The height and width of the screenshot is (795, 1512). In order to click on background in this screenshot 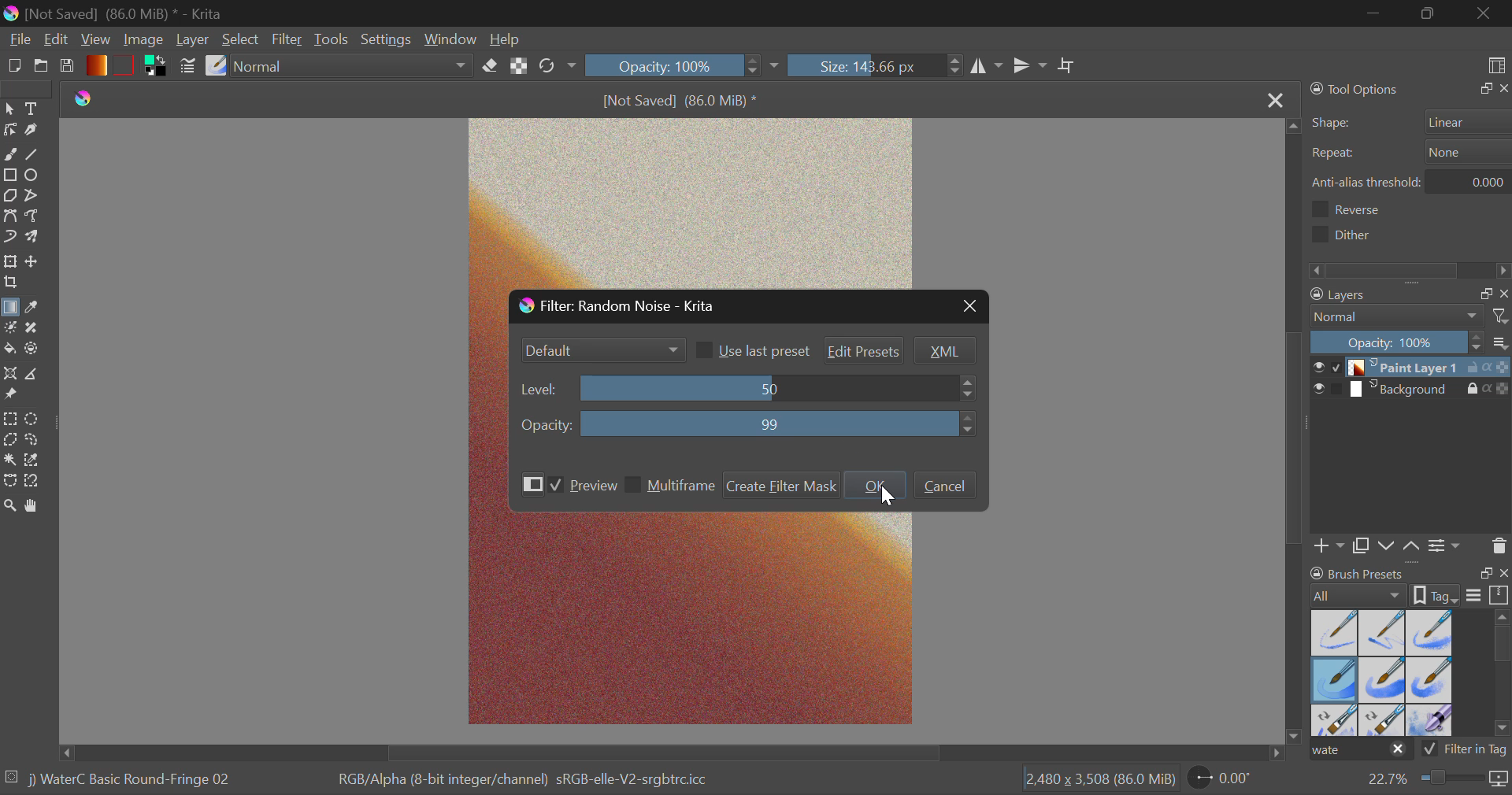, I will do `click(1407, 390)`.